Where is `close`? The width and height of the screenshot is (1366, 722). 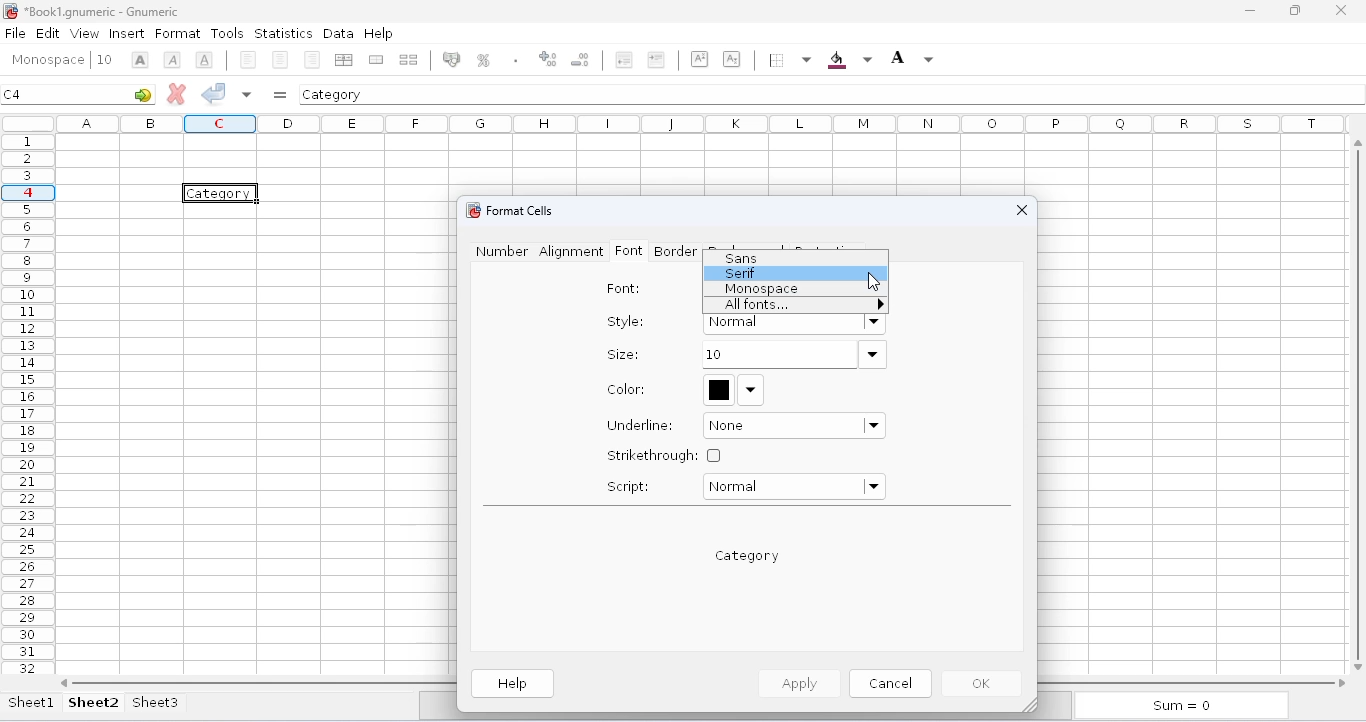 close is located at coordinates (1340, 9).